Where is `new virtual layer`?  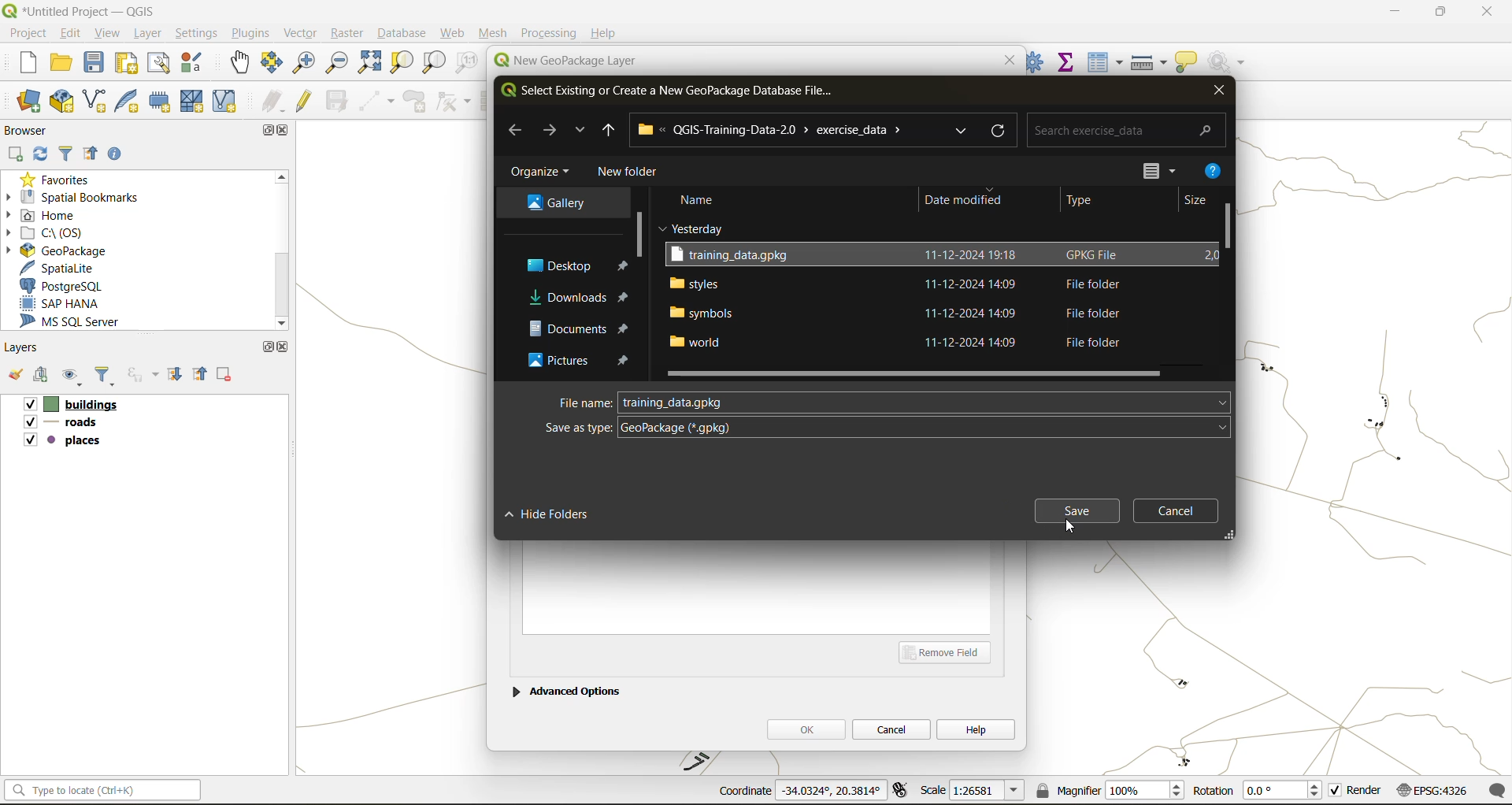
new virtual layer is located at coordinates (224, 102).